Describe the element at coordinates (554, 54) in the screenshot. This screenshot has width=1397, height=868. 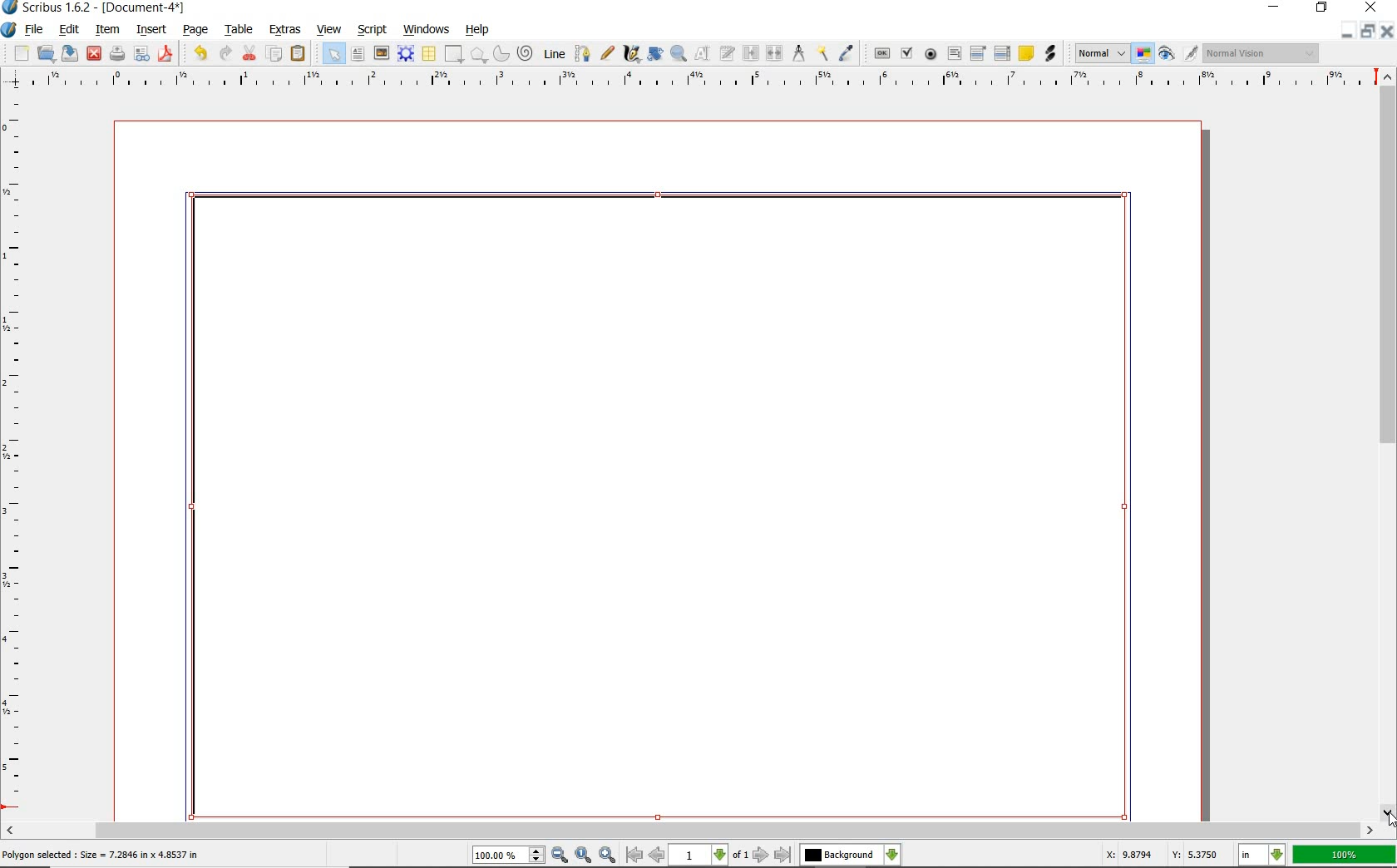
I see `line` at that location.